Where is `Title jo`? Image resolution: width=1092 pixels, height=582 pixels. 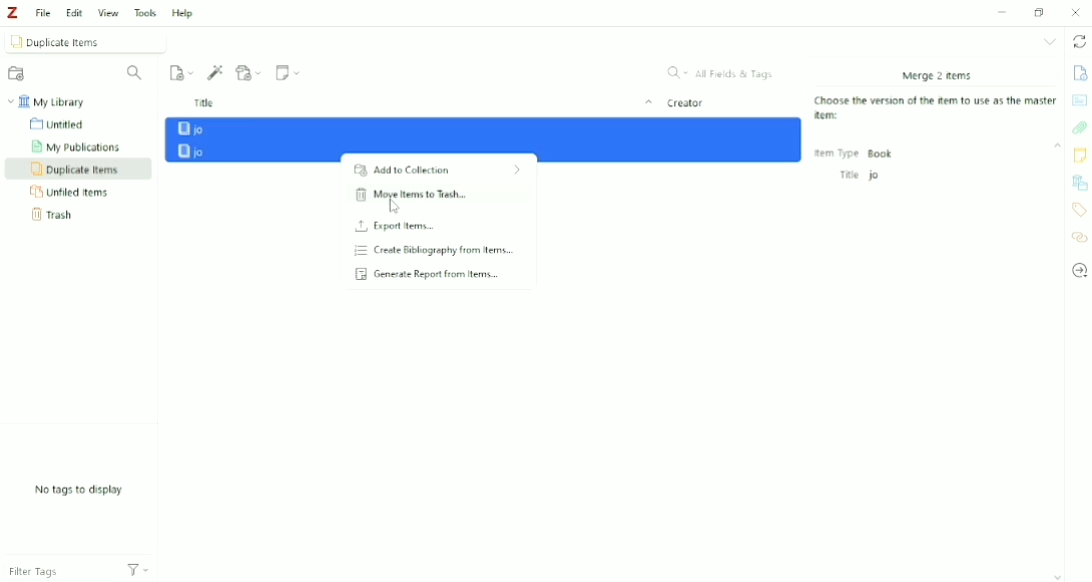 Title jo is located at coordinates (858, 175).